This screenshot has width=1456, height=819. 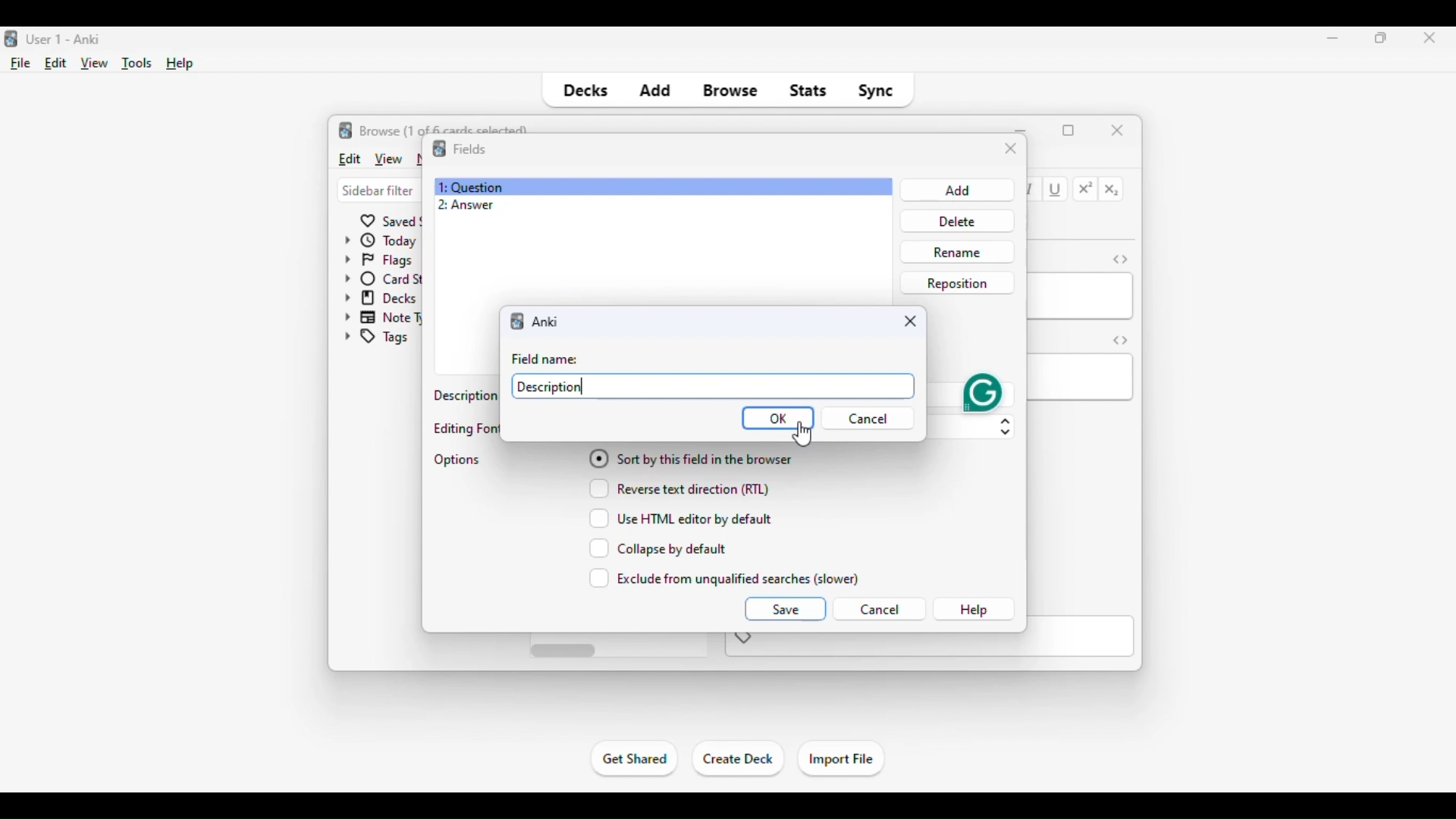 I want to click on exclude from unqualified searches (slower), so click(x=725, y=578).